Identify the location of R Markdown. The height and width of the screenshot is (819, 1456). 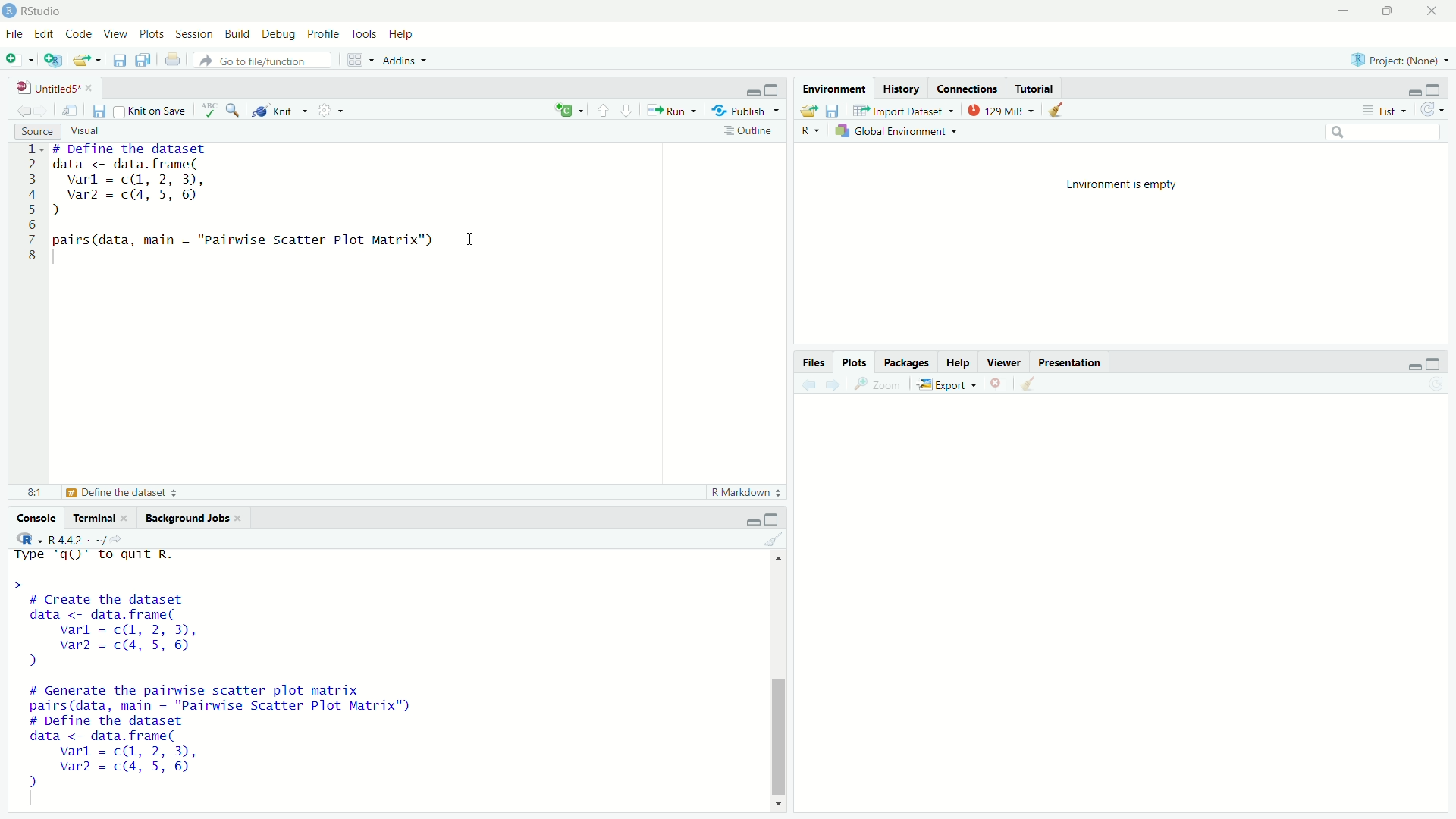
(746, 493).